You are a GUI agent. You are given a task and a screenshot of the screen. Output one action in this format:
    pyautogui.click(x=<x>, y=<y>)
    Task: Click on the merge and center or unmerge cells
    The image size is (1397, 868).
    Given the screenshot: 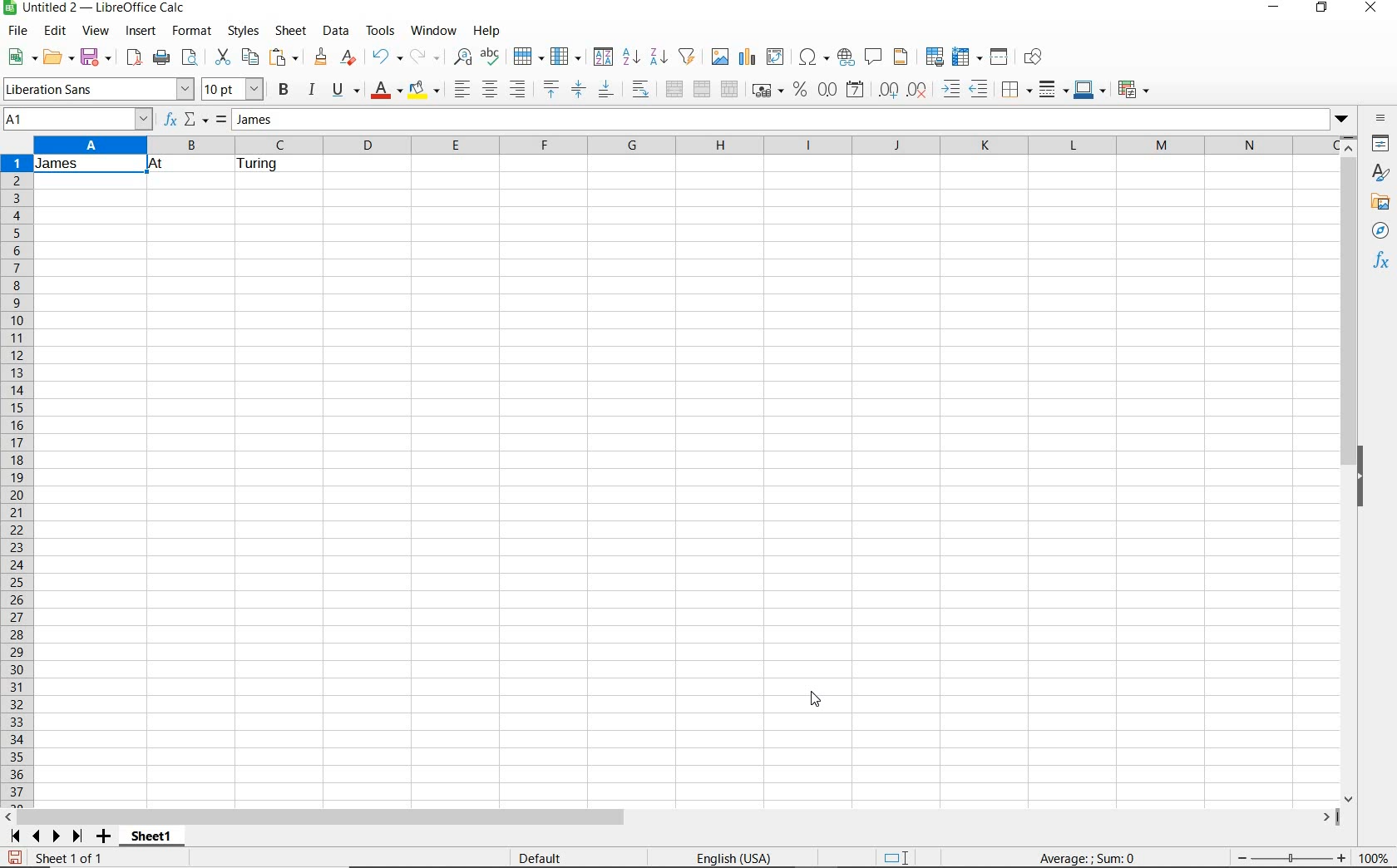 What is the action you would take?
    pyautogui.click(x=674, y=90)
    